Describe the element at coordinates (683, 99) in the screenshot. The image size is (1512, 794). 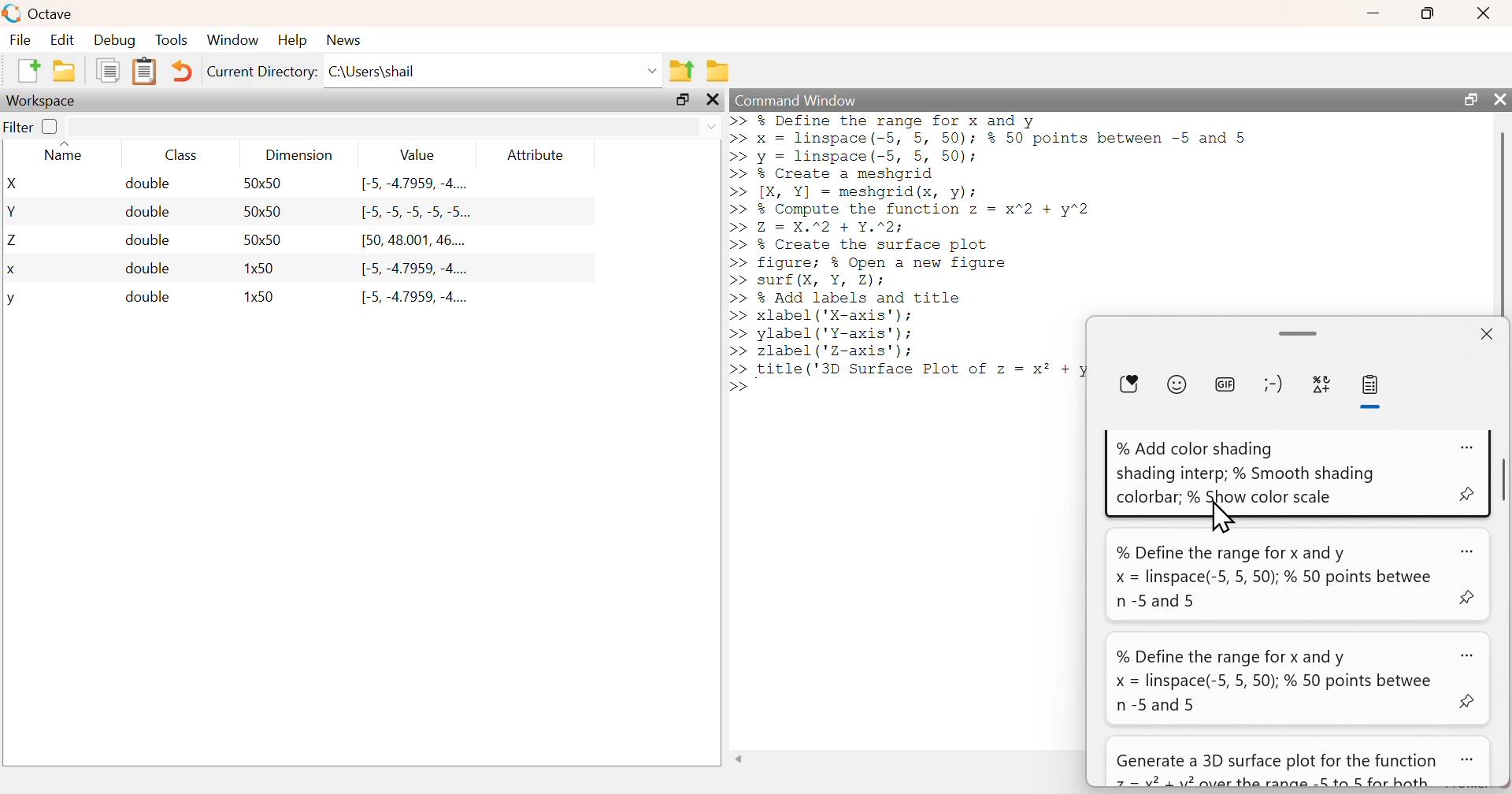
I see `maximize` at that location.